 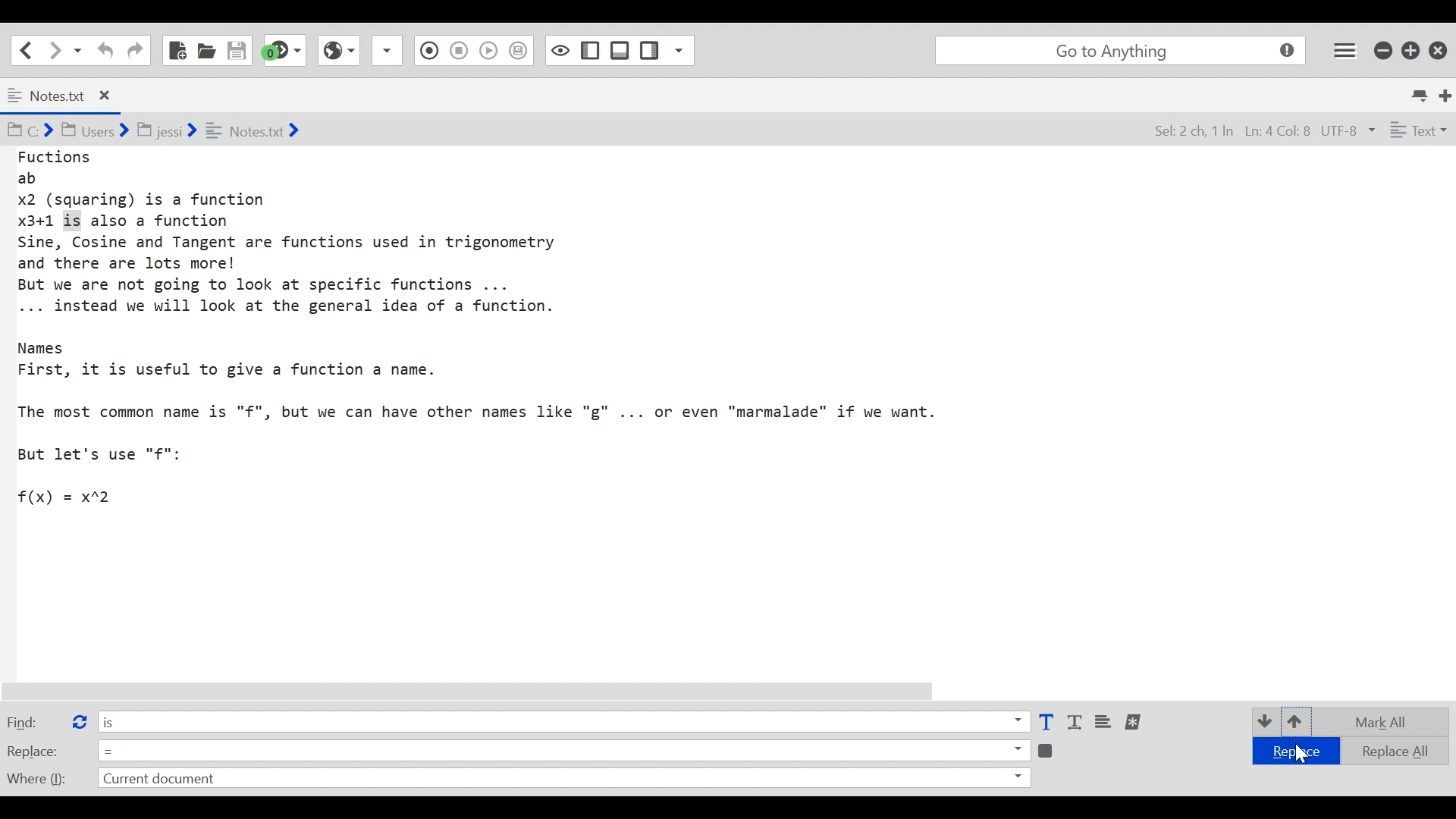 What do you see at coordinates (1293, 752) in the screenshot?
I see `Replace` at bounding box center [1293, 752].